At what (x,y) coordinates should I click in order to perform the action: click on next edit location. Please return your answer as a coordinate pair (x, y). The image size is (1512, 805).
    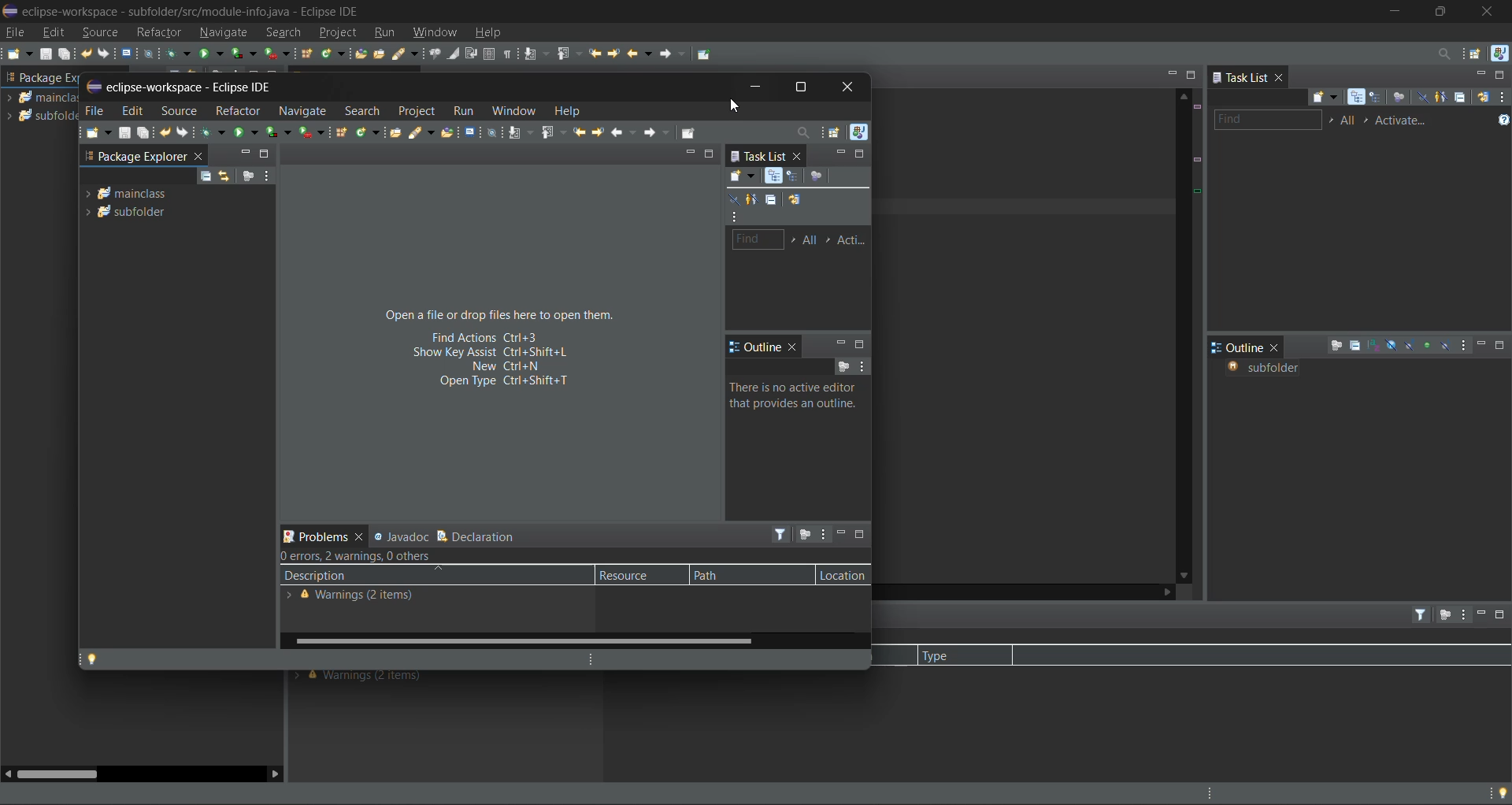
    Looking at the image, I should click on (599, 134).